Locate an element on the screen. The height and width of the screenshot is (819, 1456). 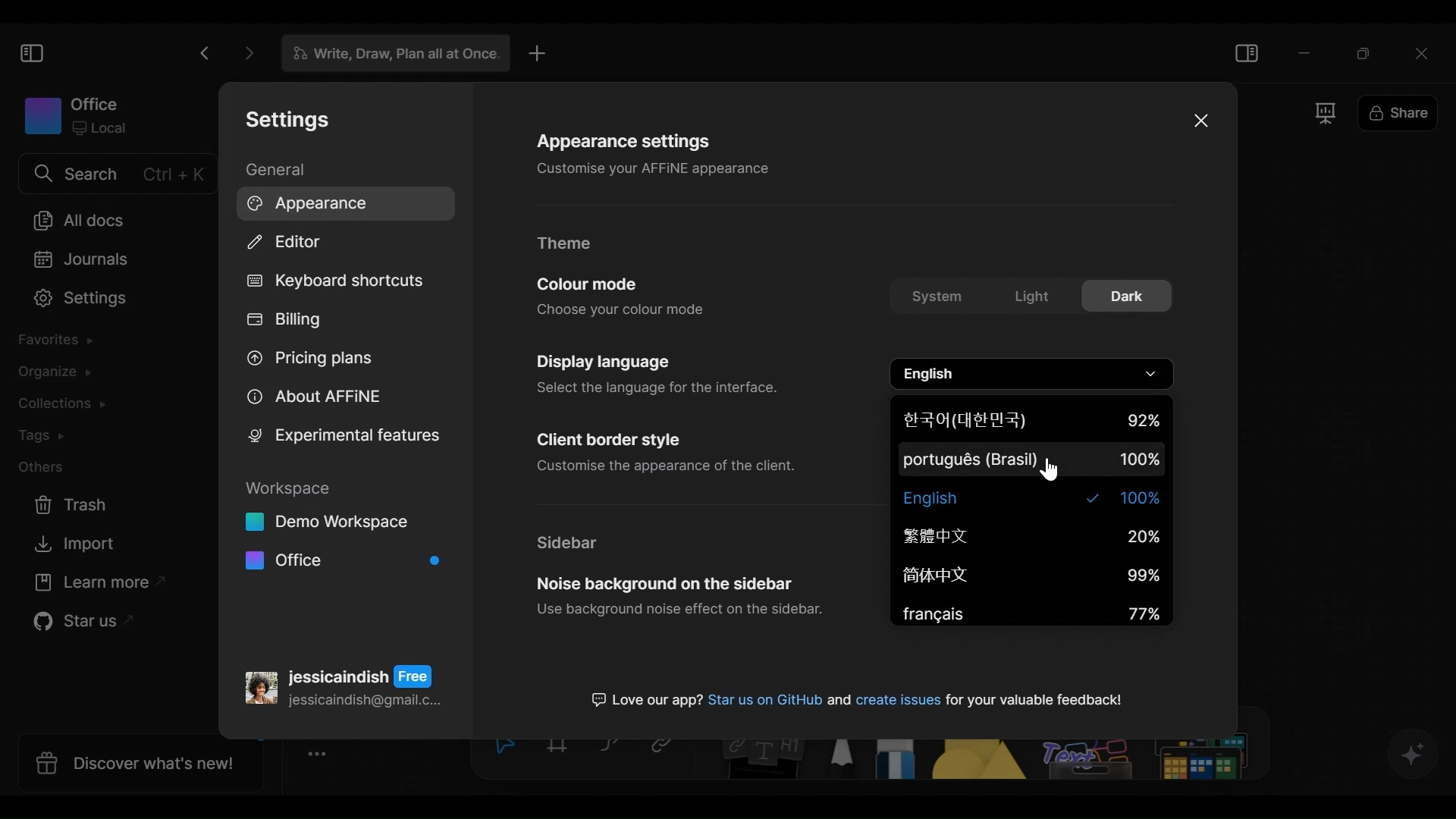
Sidebar is located at coordinates (571, 542).